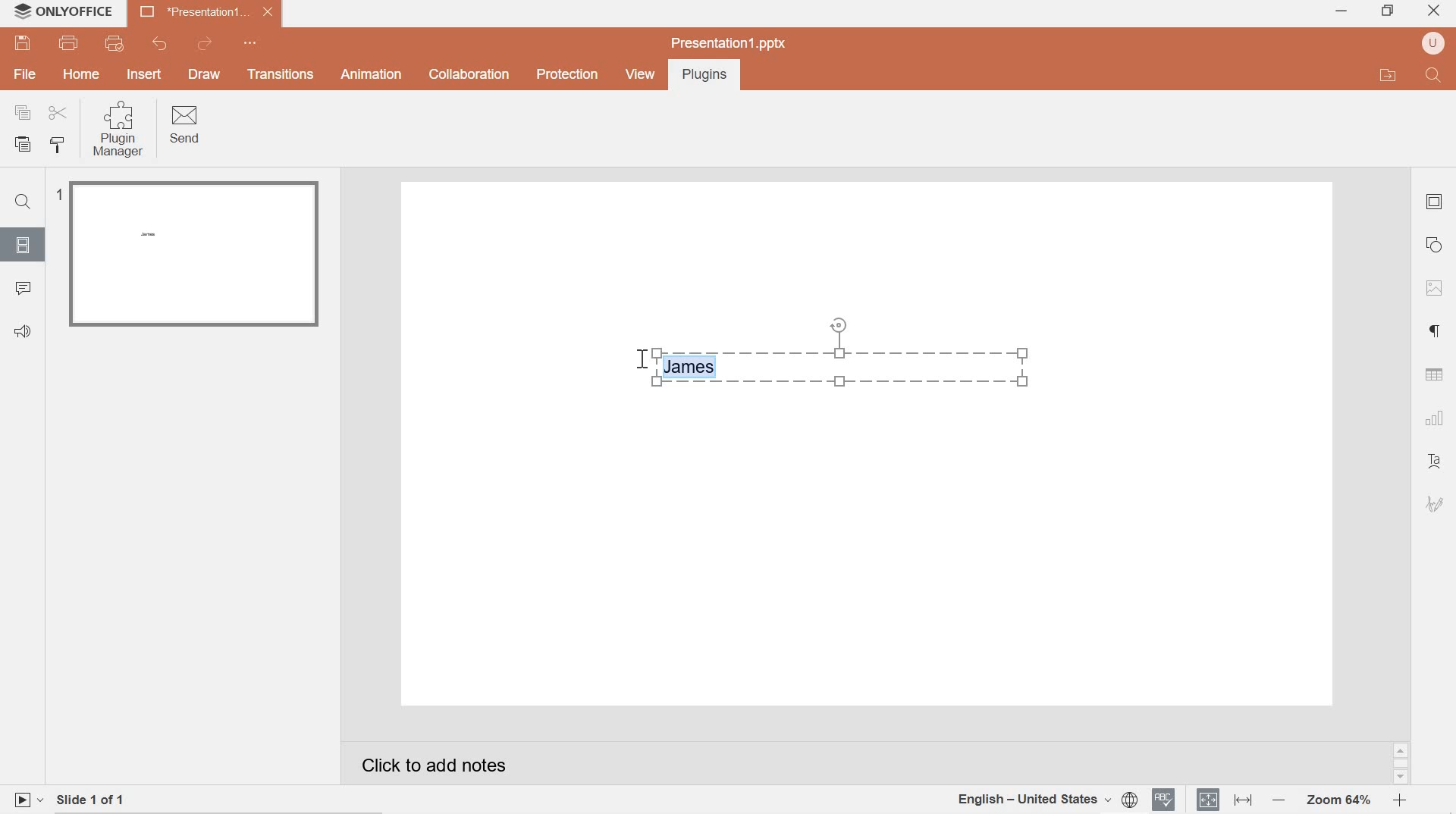 The height and width of the screenshot is (814, 1456). I want to click on quick print, so click(120, 44).